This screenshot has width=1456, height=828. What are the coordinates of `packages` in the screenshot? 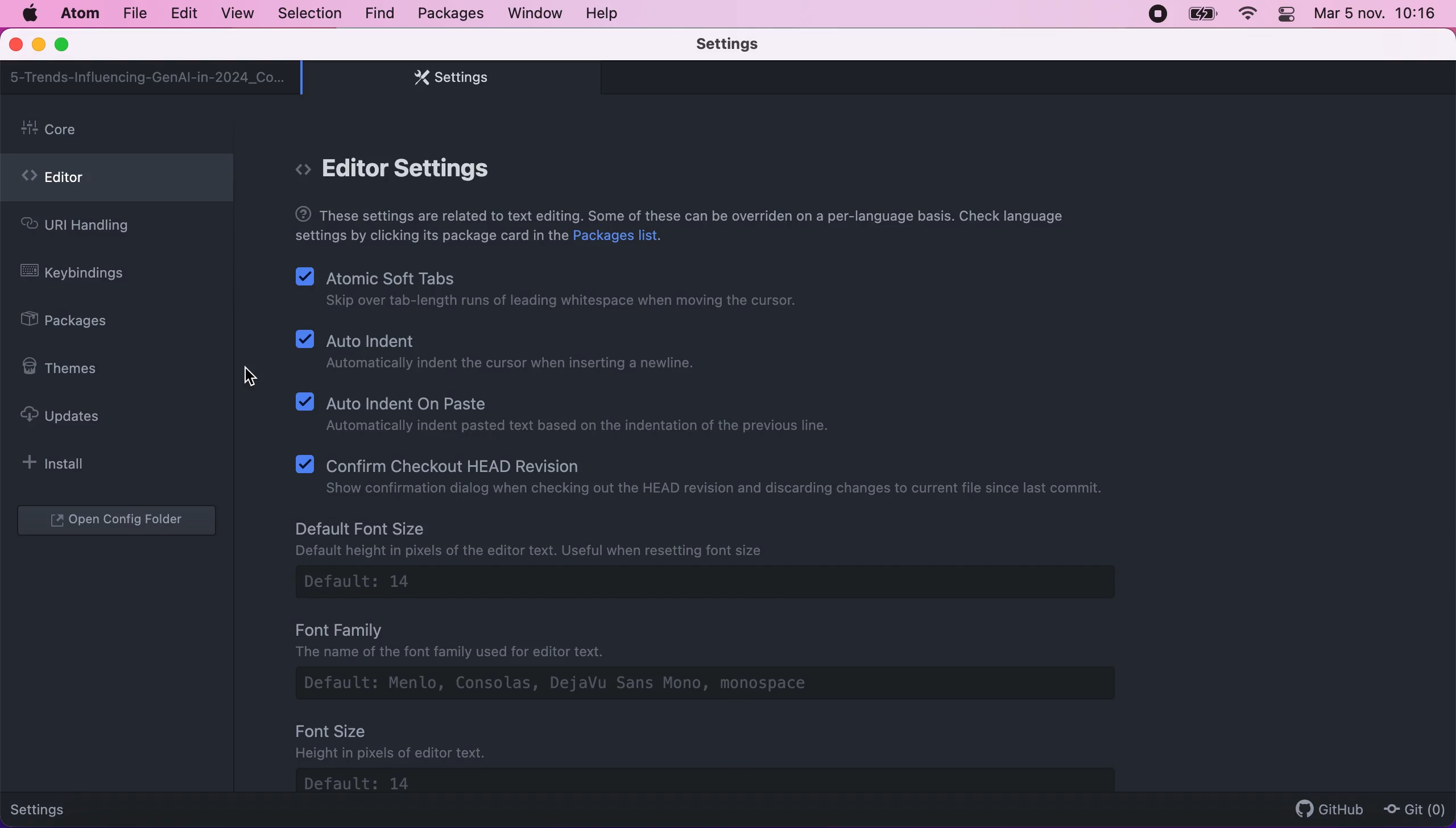 It's located at (77, 322).